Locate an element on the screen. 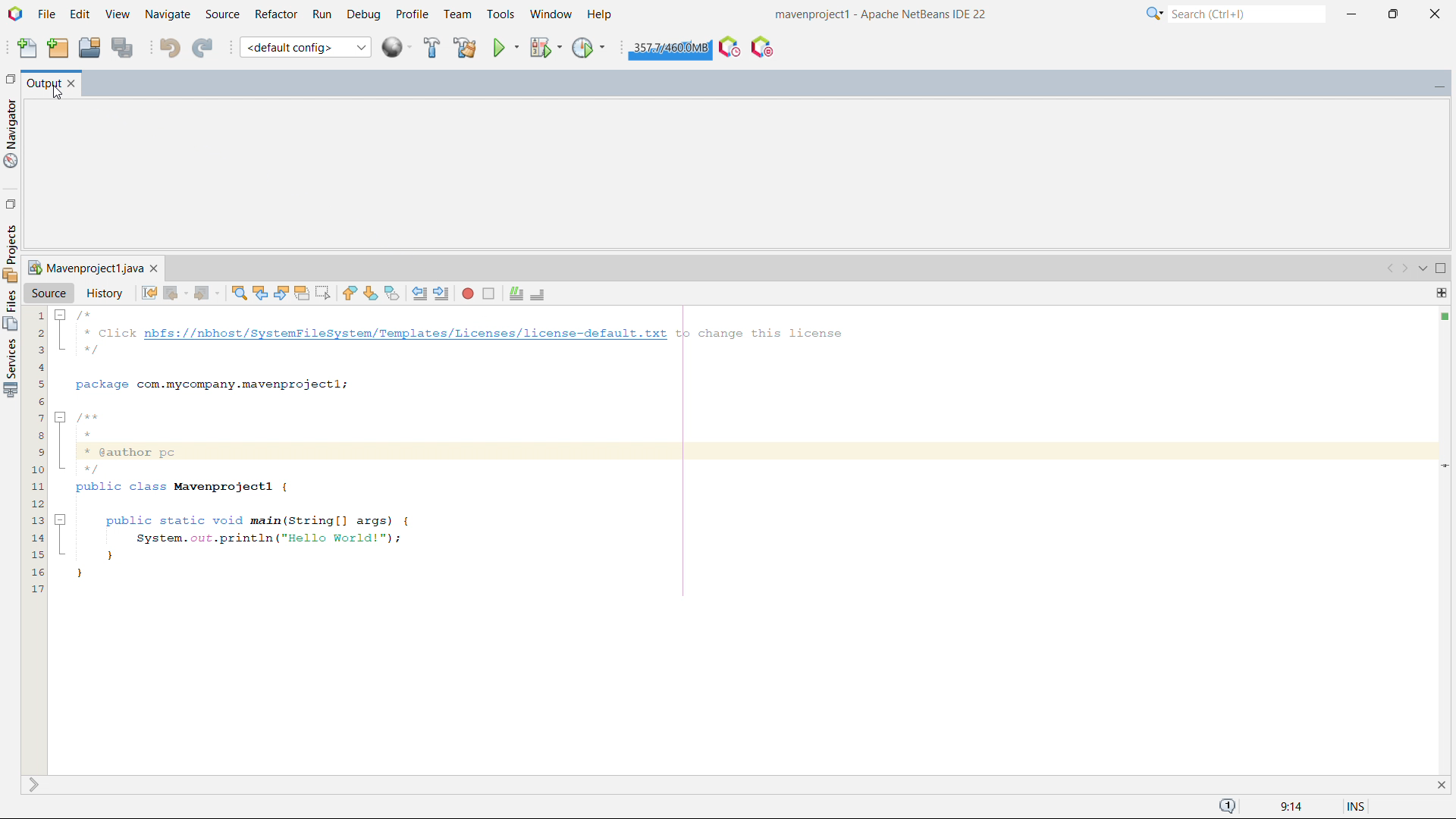  restore window group is located at coordinates (9, 77).